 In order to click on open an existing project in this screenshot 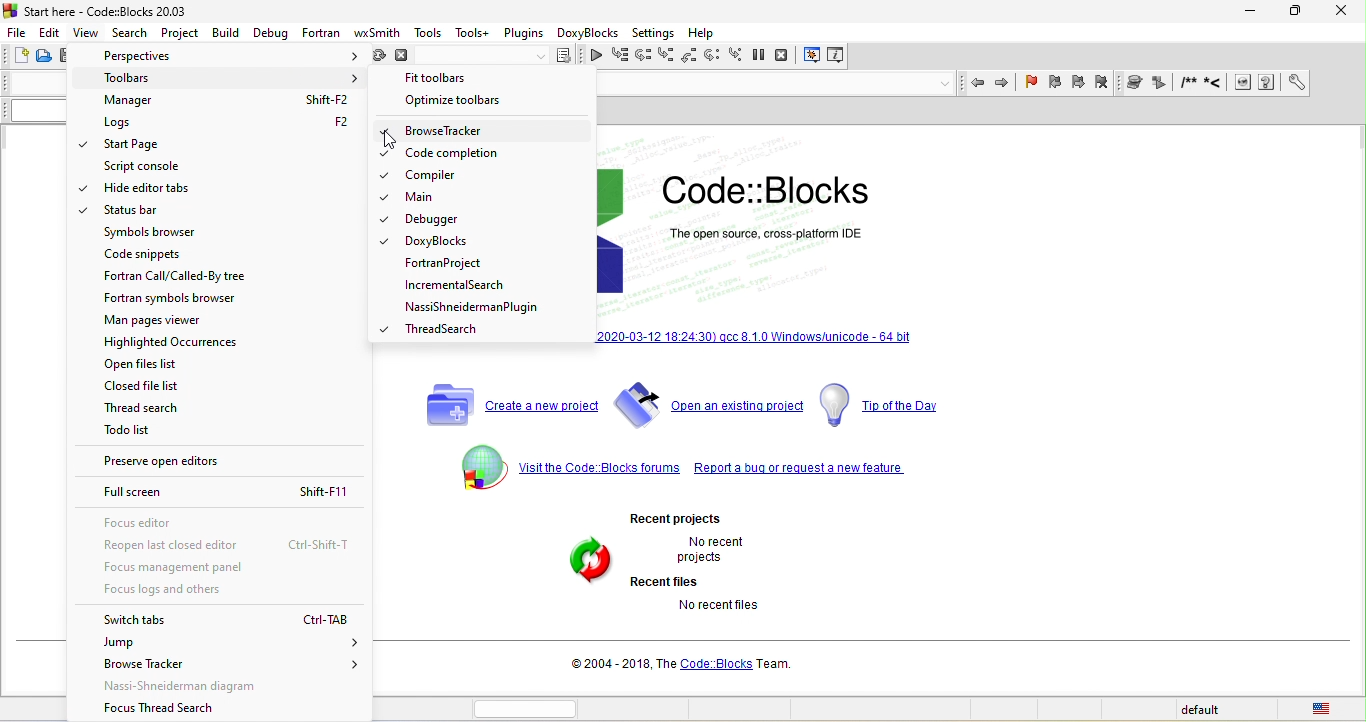, I will do `click(711, 404)`.